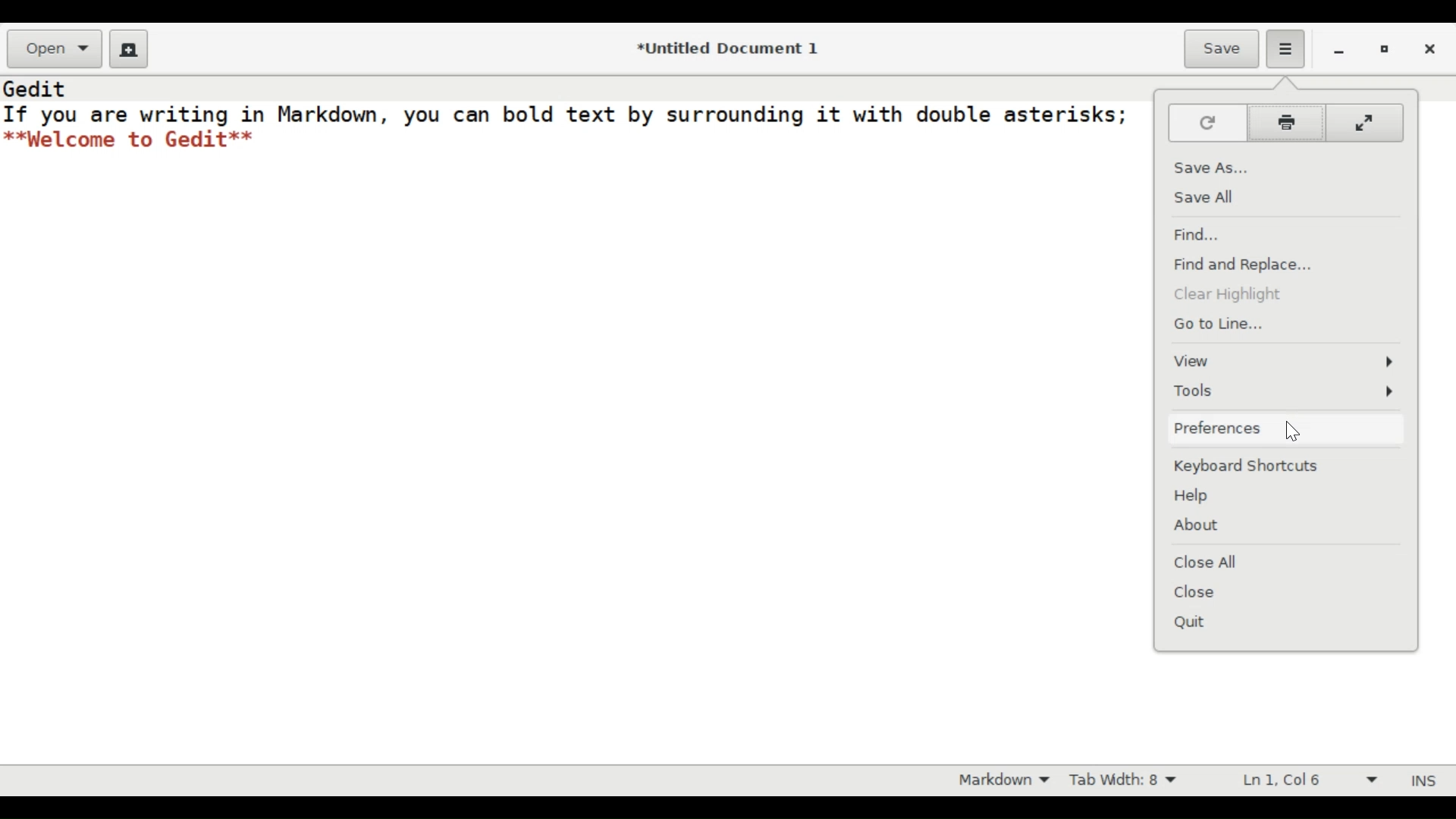  Describe the element at coordinates (1214, 165) in the screenshot. I see `Save As` at that location.